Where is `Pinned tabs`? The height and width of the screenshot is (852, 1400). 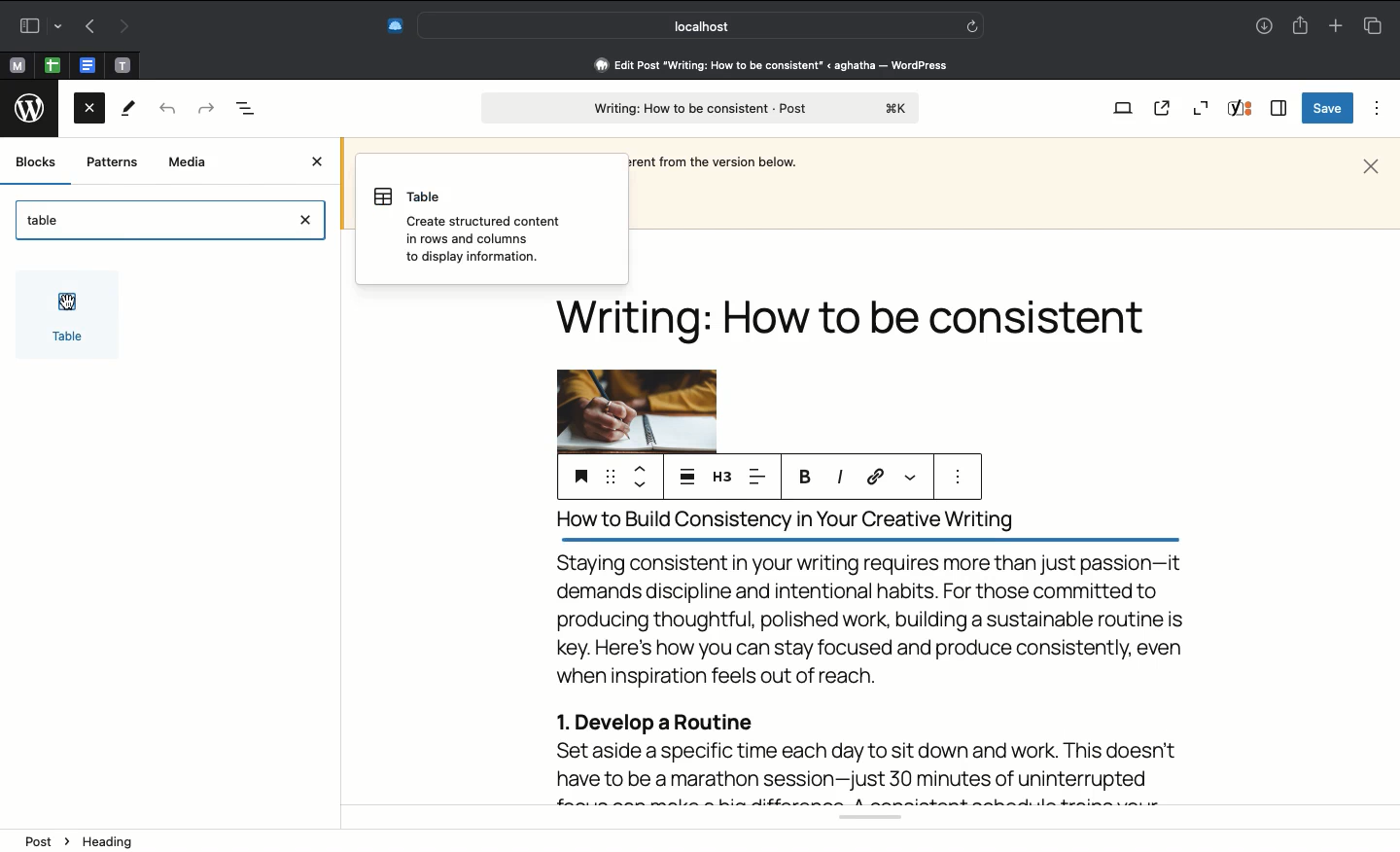
Pinned tabs is located at coordinates (87, 64).